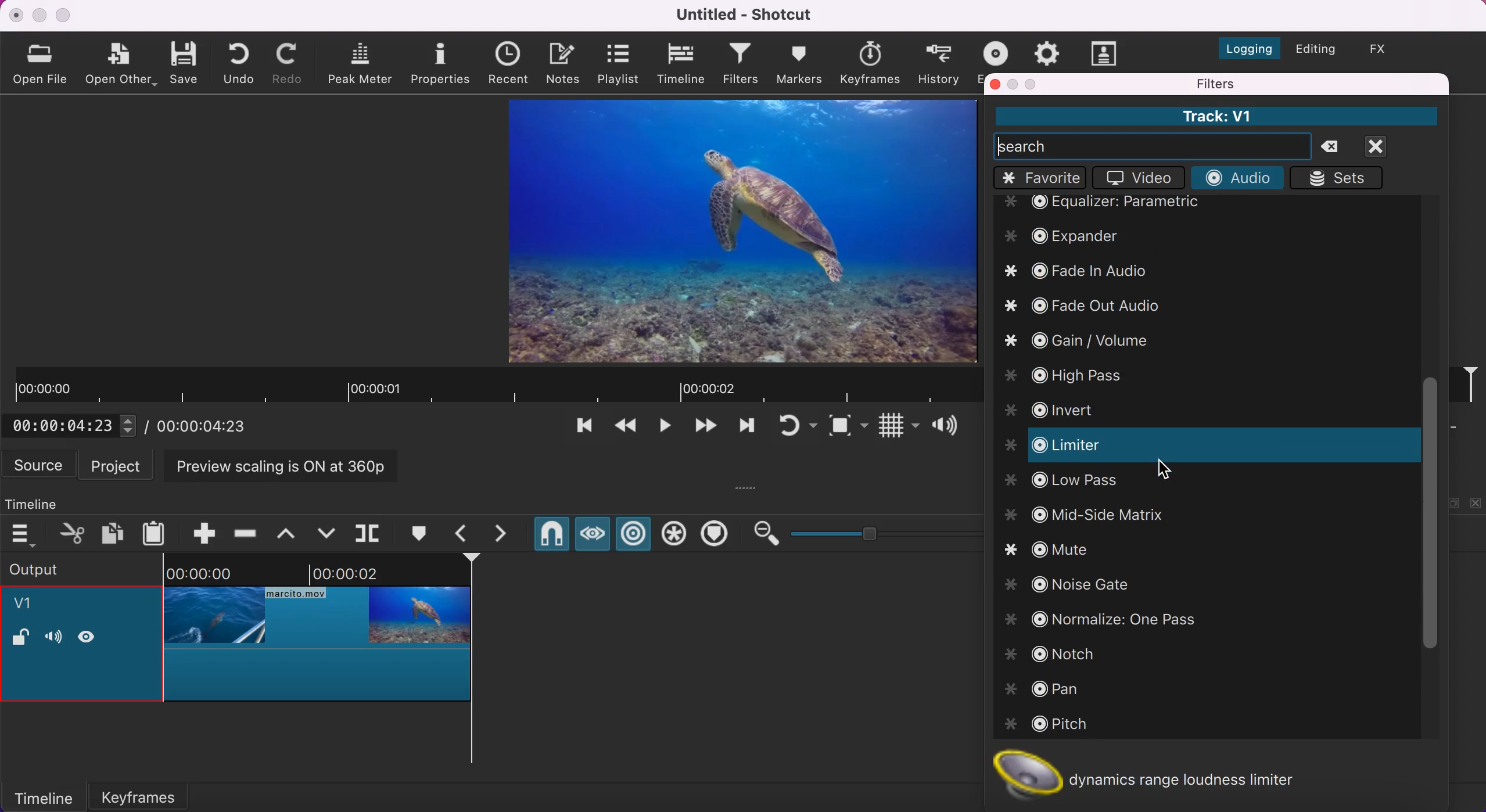  What do you see at coordinates (119, 465) in the screenshot?
I see `project` at bounding box center [119, 465].